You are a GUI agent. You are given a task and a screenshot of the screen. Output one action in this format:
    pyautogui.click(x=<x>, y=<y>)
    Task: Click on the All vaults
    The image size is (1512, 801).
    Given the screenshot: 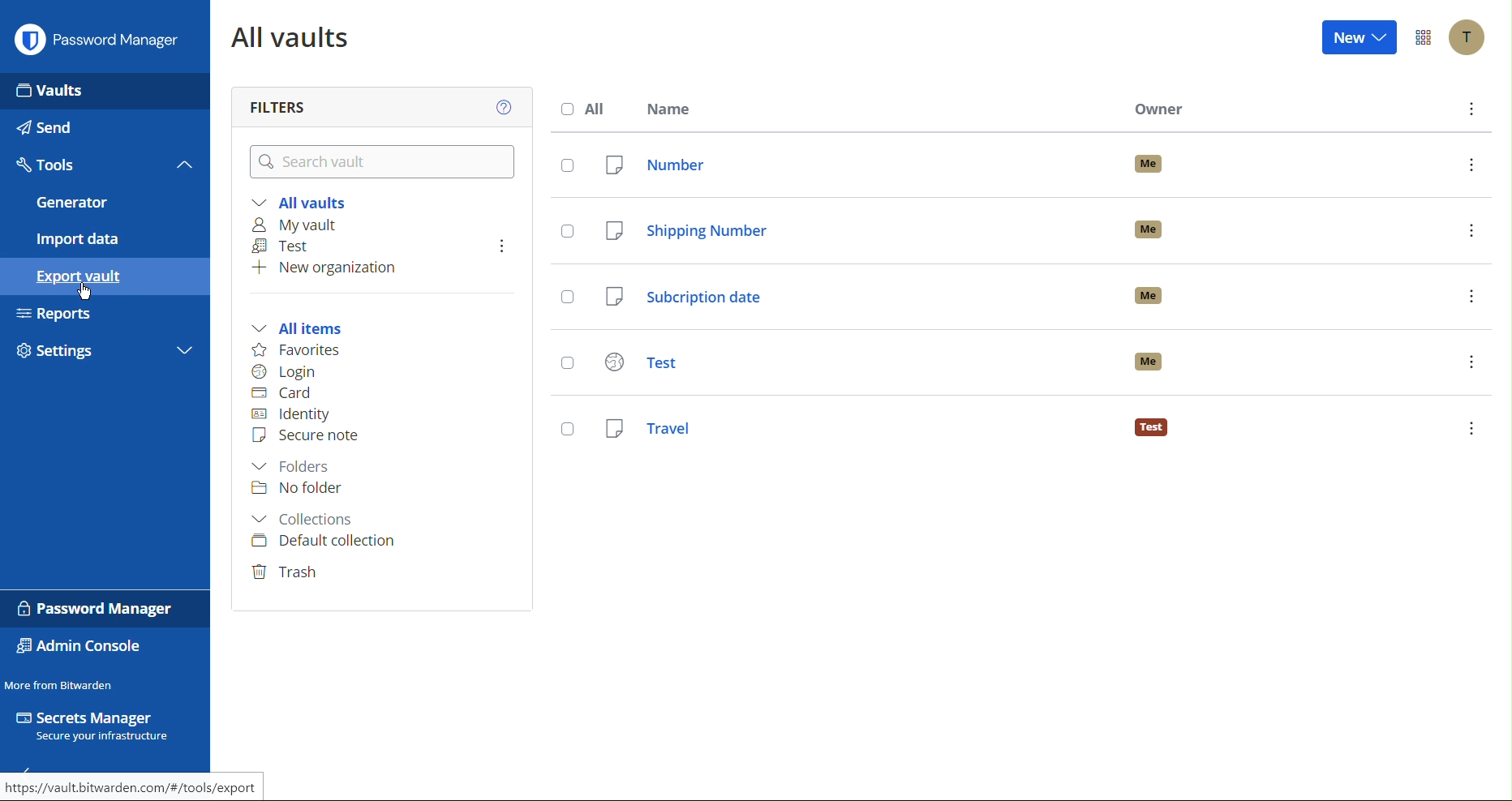 What is the action you would take?
    pyautogui.click(x=290, y=38)
    